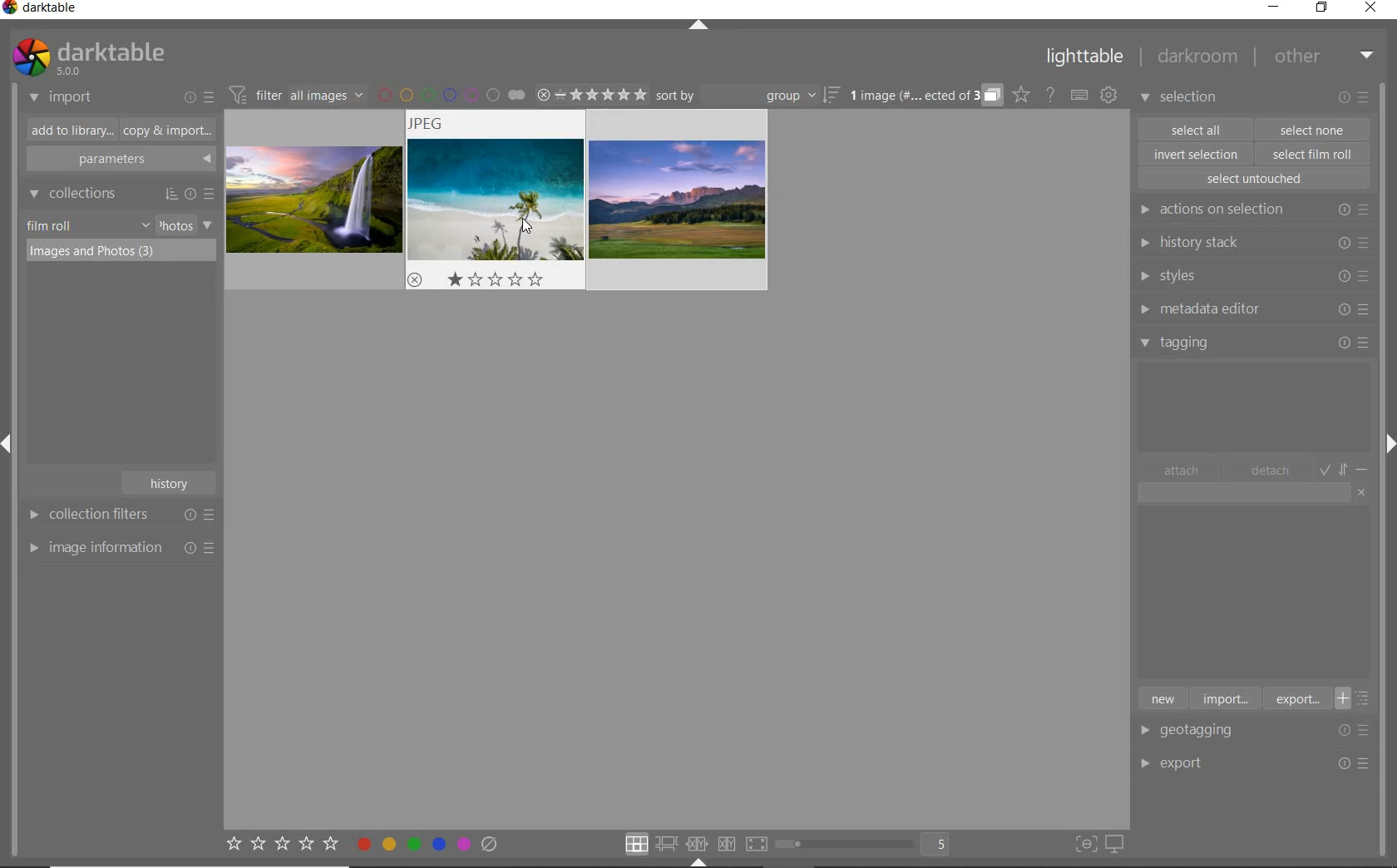  What do you see at coordinates (1050, 94) in the screenshot?
I see `help online` at bounding box center [1050, 94].